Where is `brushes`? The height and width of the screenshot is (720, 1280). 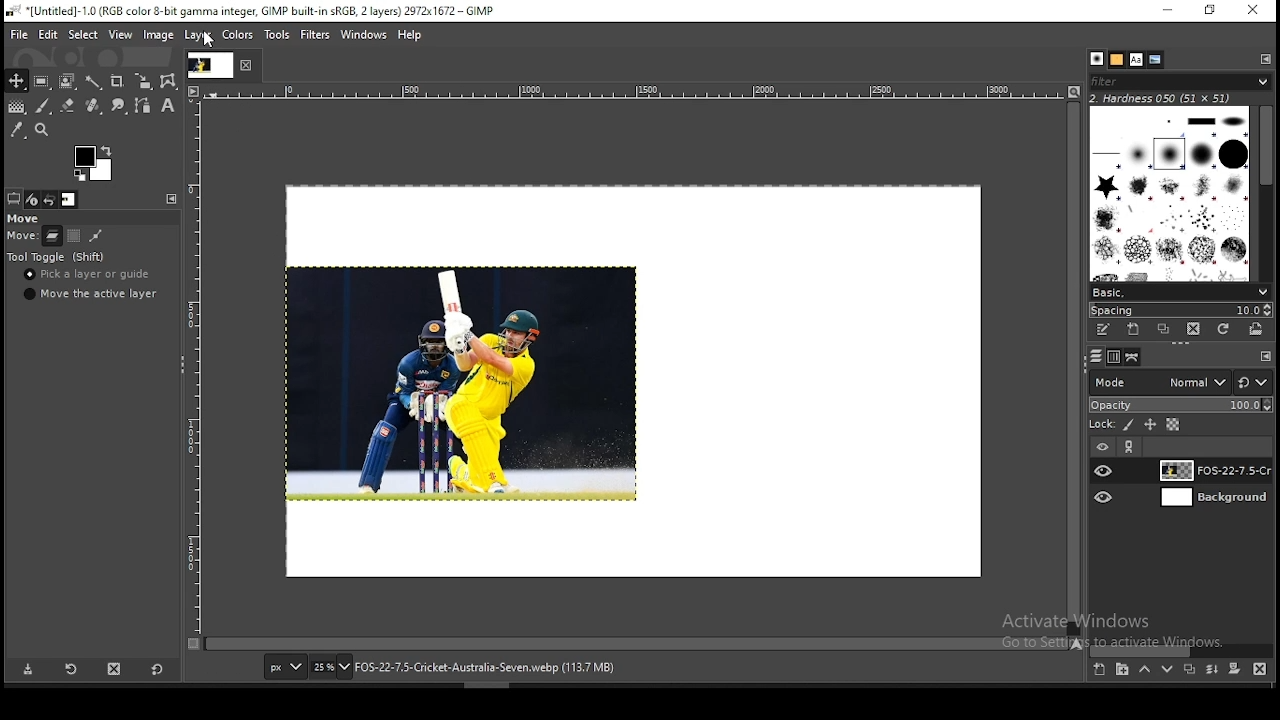 brushes is located at coordinates (1097, 59).